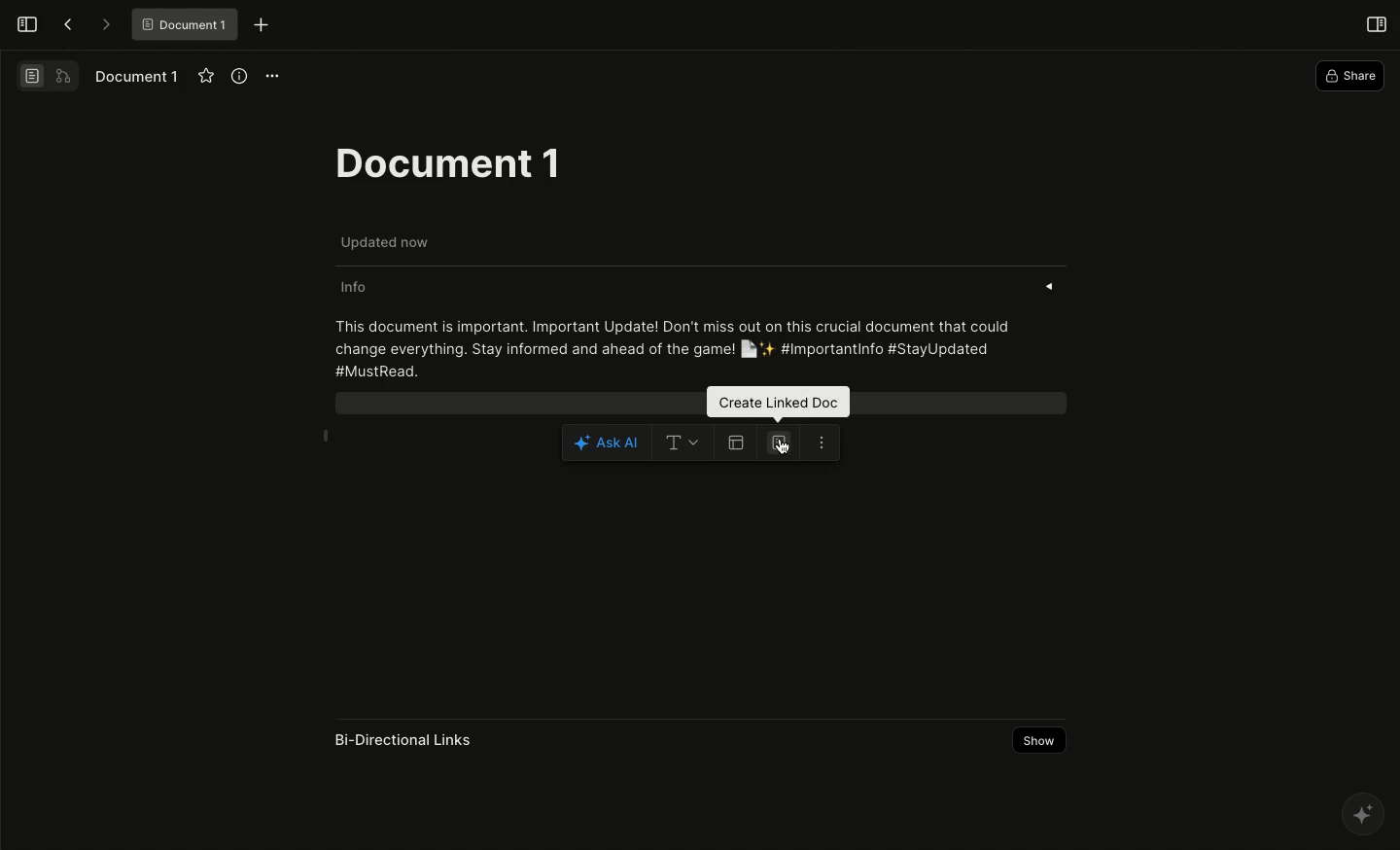 Image resolution: width=1400 pixels, height=850 pixels. Describe the element at coordinates (786, 449) in the screenshot. I see `cursor on create linked doc` at that location.